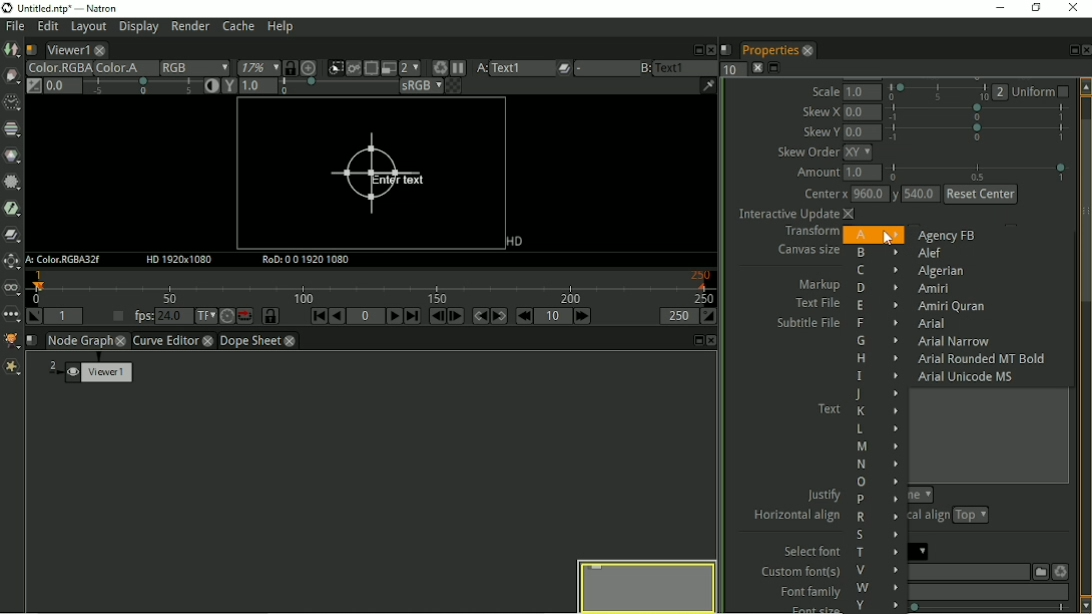  Describe the element at coordinates (921, 196) in the screenshot. I see `540` at that location.